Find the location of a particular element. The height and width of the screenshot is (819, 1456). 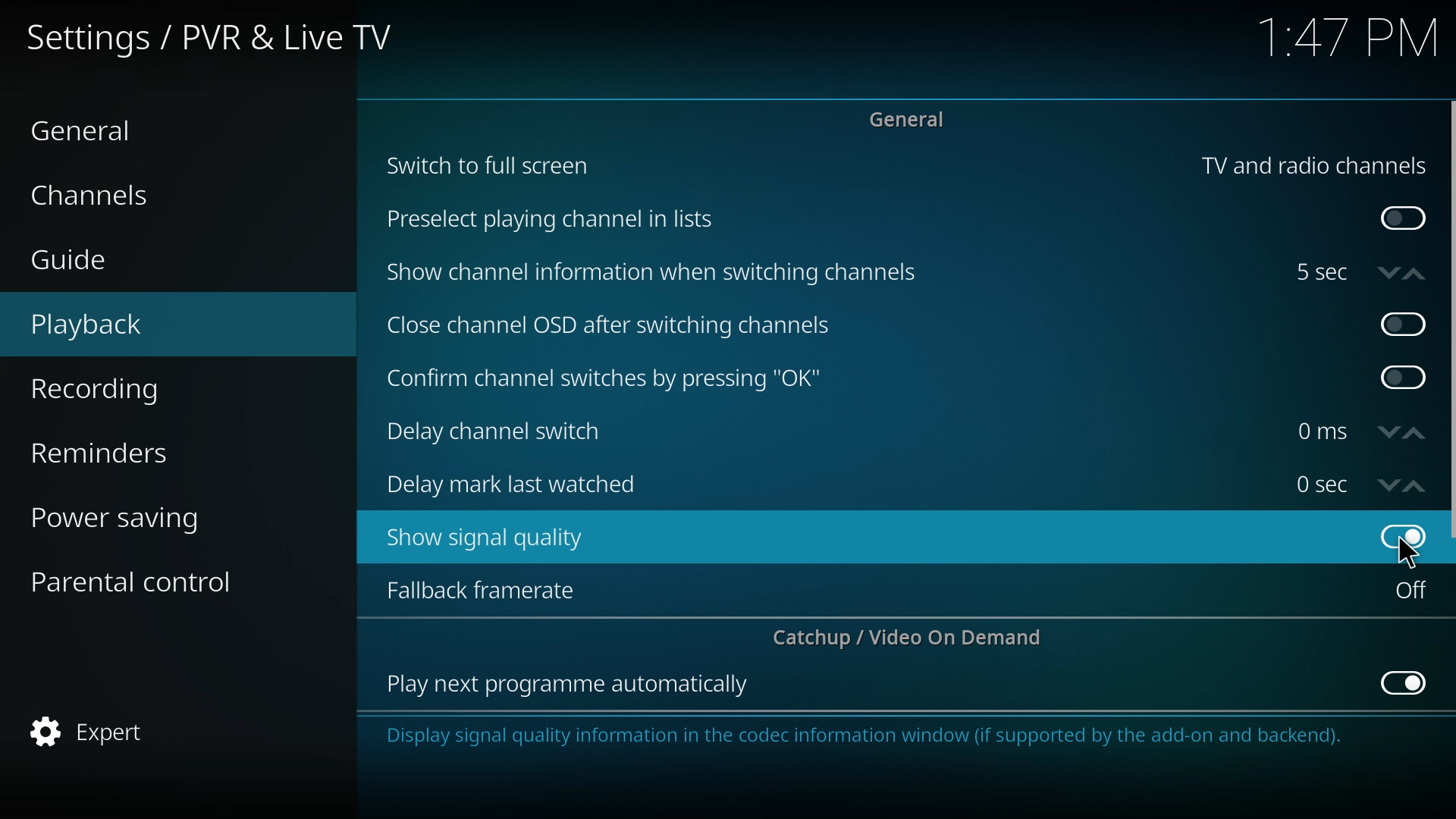

catchup/video on demand is located at coordinates (915, 637).